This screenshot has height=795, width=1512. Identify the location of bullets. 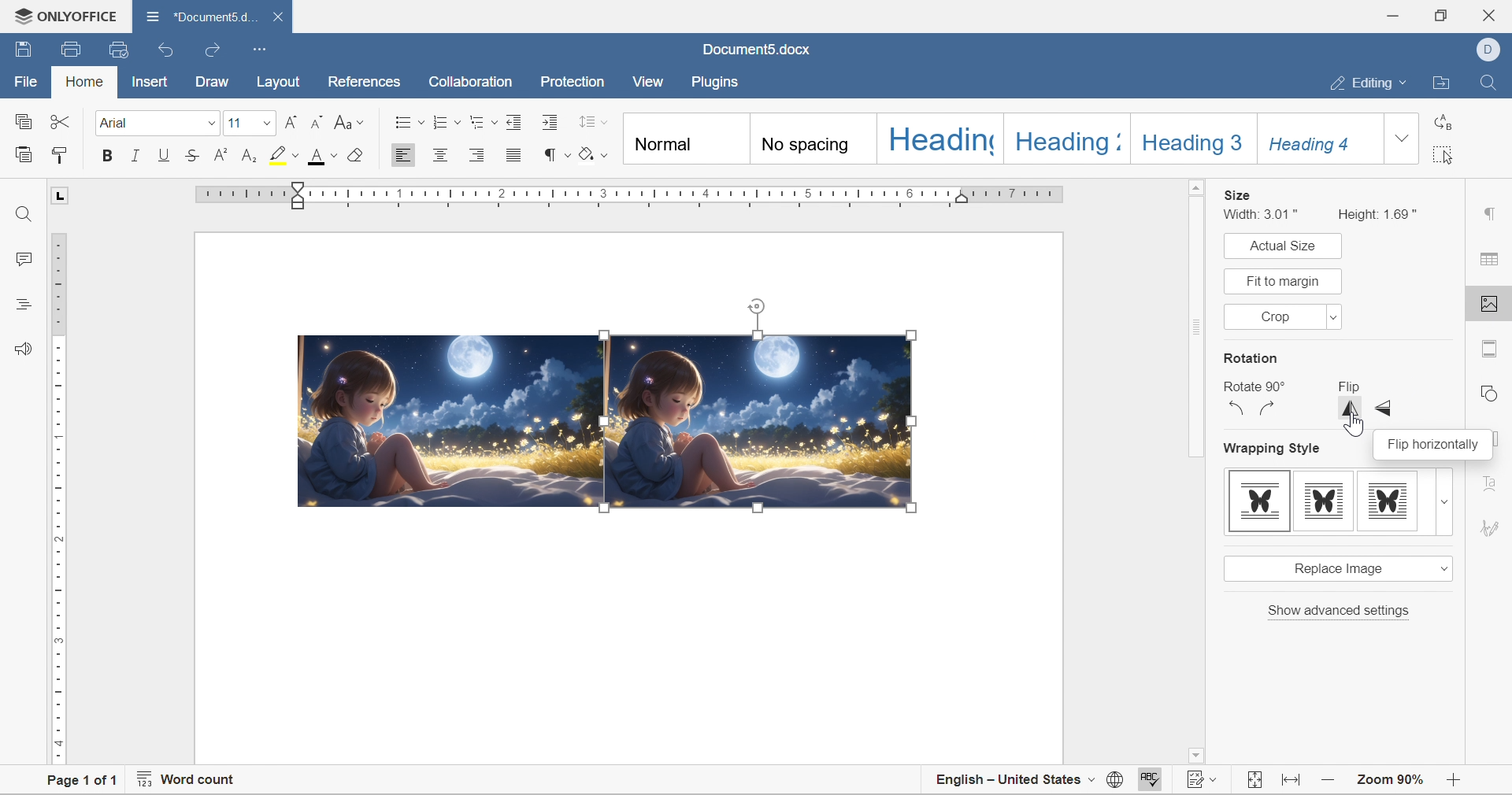
(409, 120).